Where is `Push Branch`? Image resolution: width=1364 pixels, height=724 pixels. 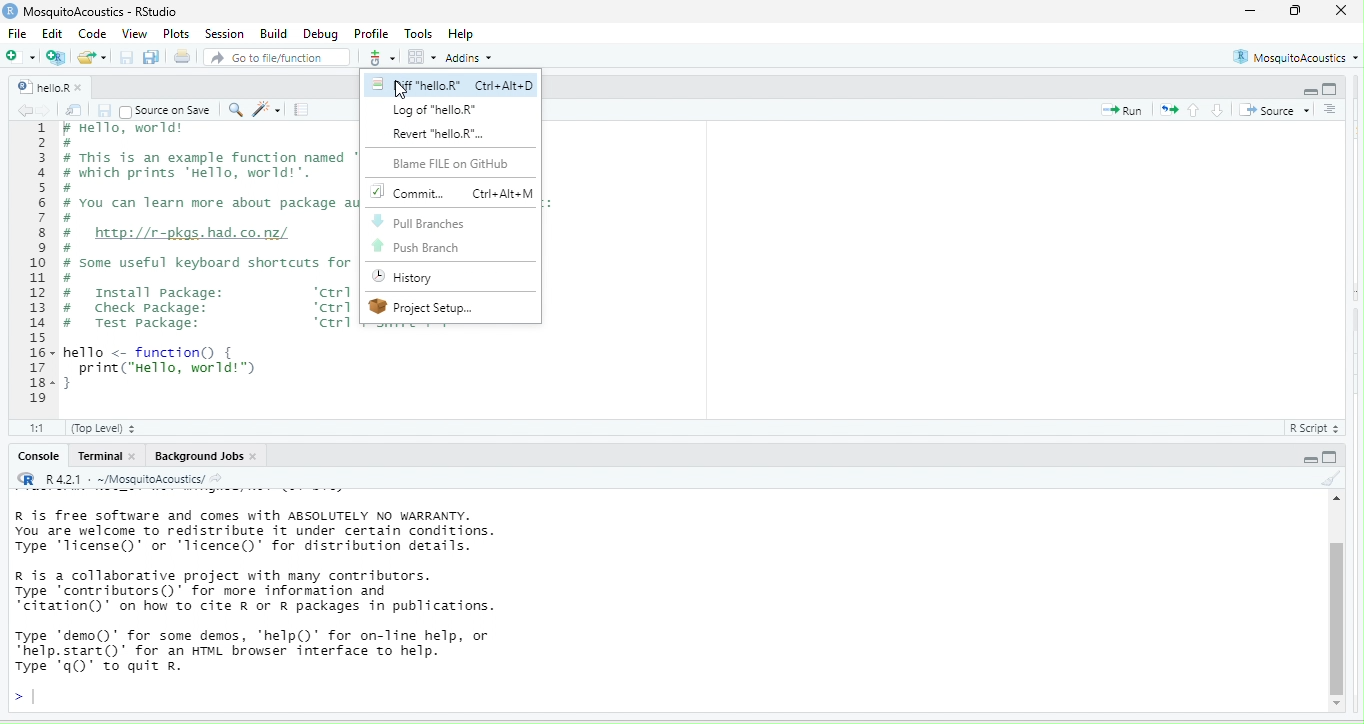
Push Branch is located at coordinates (420, 248).